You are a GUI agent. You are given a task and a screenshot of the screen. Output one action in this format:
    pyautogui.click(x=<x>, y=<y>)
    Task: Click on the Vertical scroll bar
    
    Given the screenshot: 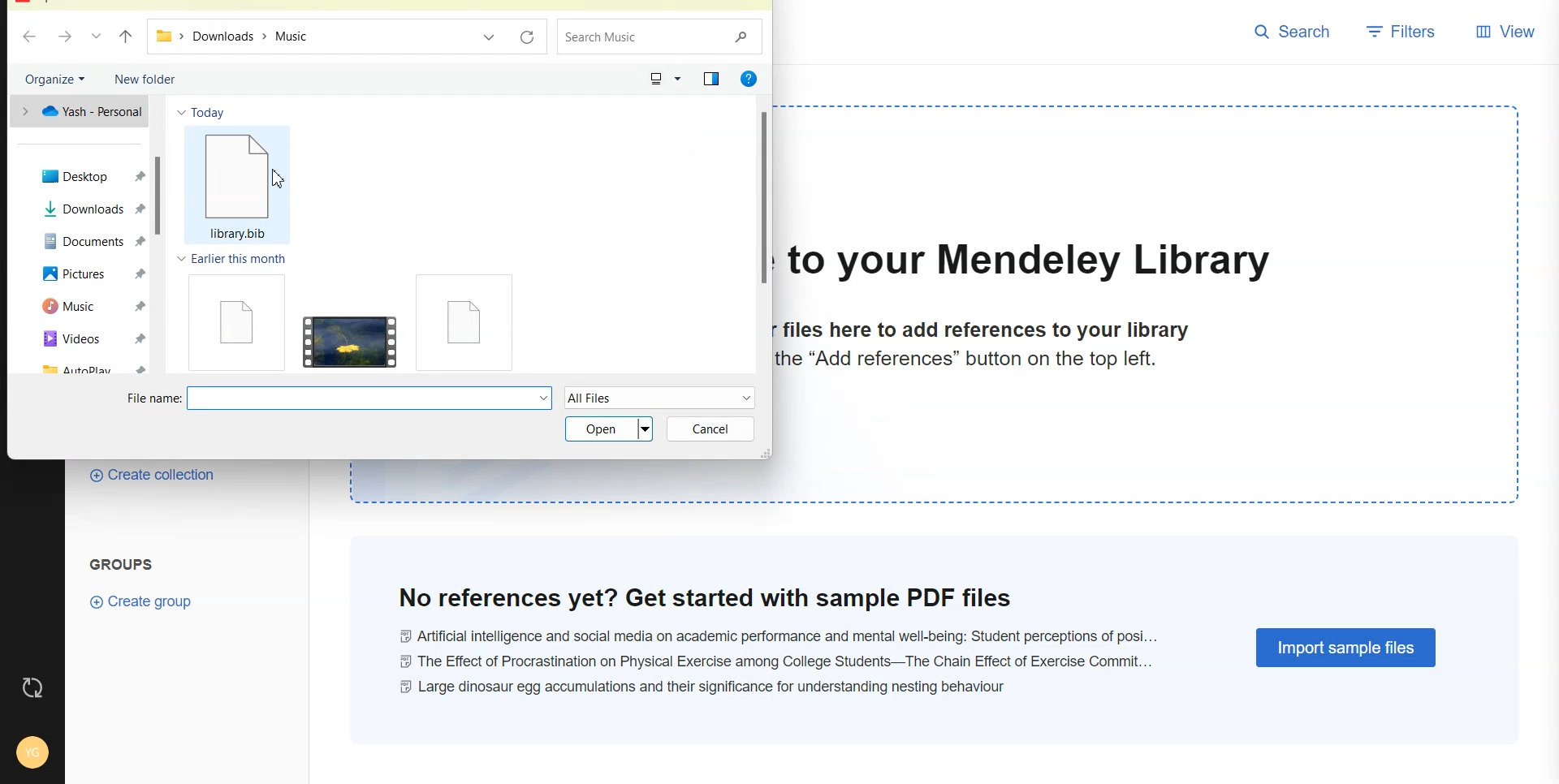 What is the action you would take?
    pyautogui.click(x=765, y=236)
    